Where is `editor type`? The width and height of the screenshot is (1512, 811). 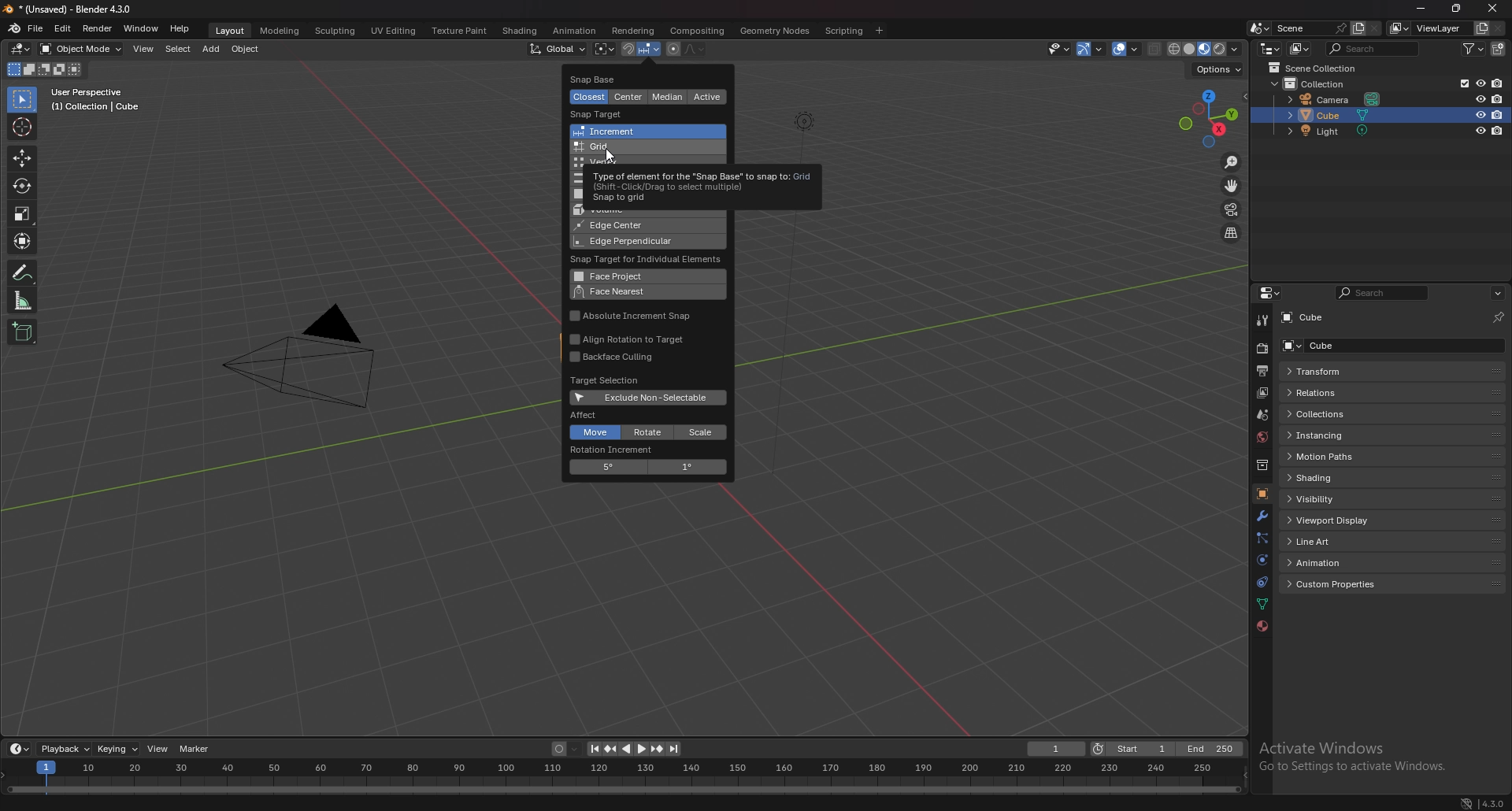
editor type is located at coordinates (1271, 293).